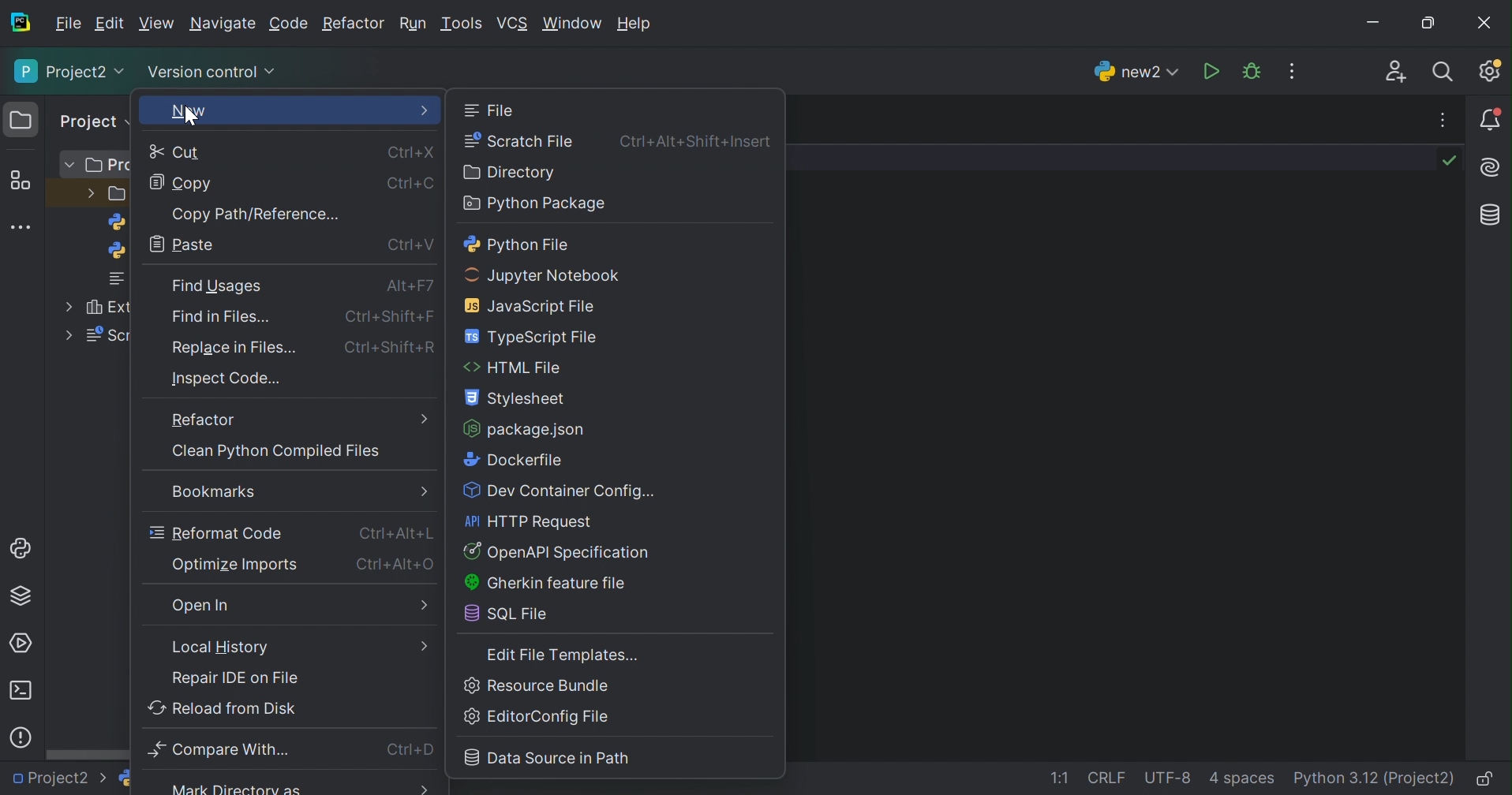  What do you see at coordinates (71, 166) in the screenshot?
I see `More` at bounding box center [71, 166].